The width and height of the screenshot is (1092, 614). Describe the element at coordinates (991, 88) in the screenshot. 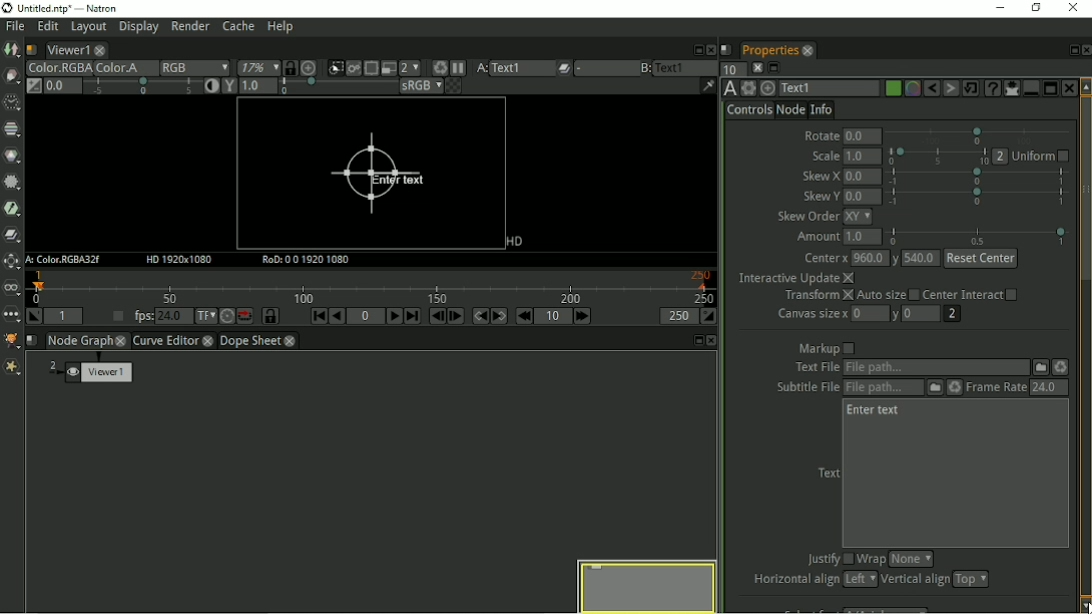

I see `Advanced text generator node` at that location.